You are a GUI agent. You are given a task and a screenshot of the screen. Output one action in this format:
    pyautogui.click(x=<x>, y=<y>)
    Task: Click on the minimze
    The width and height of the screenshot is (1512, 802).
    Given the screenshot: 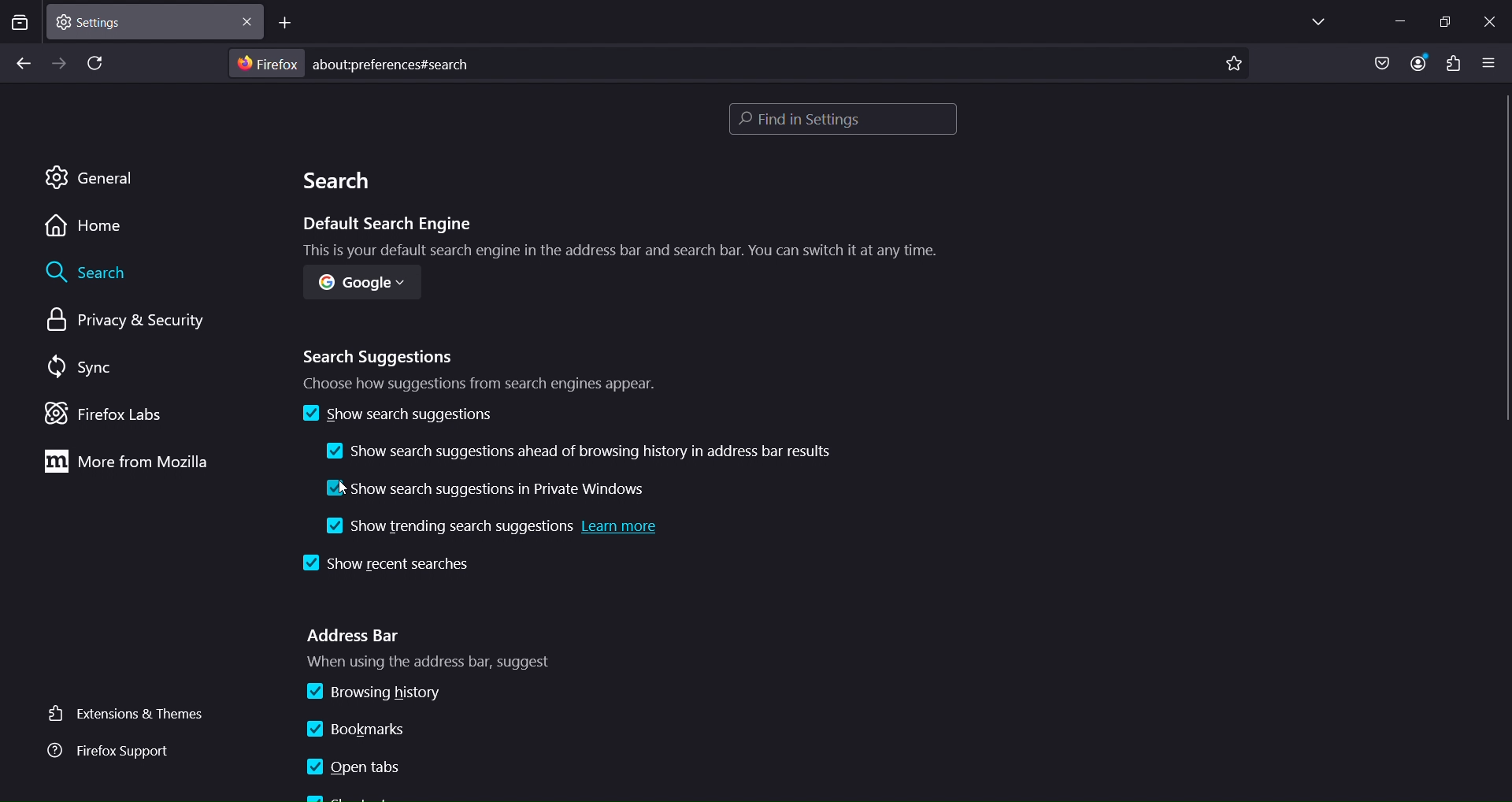 What is the action you would take?
    pyautogui.click(x=1398, y=20)
    